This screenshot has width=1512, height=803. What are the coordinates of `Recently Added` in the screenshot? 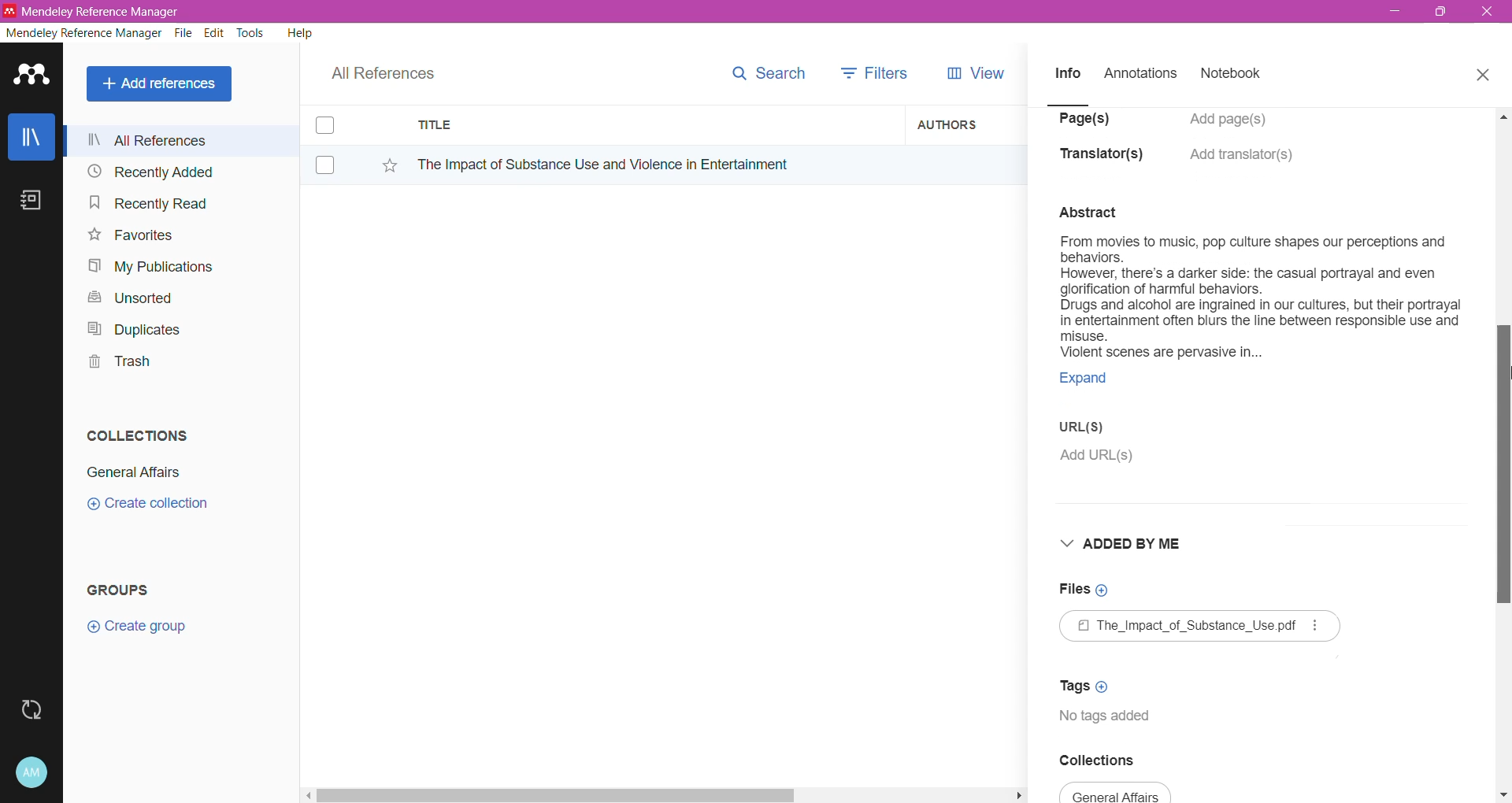 It's located at (148, 172).